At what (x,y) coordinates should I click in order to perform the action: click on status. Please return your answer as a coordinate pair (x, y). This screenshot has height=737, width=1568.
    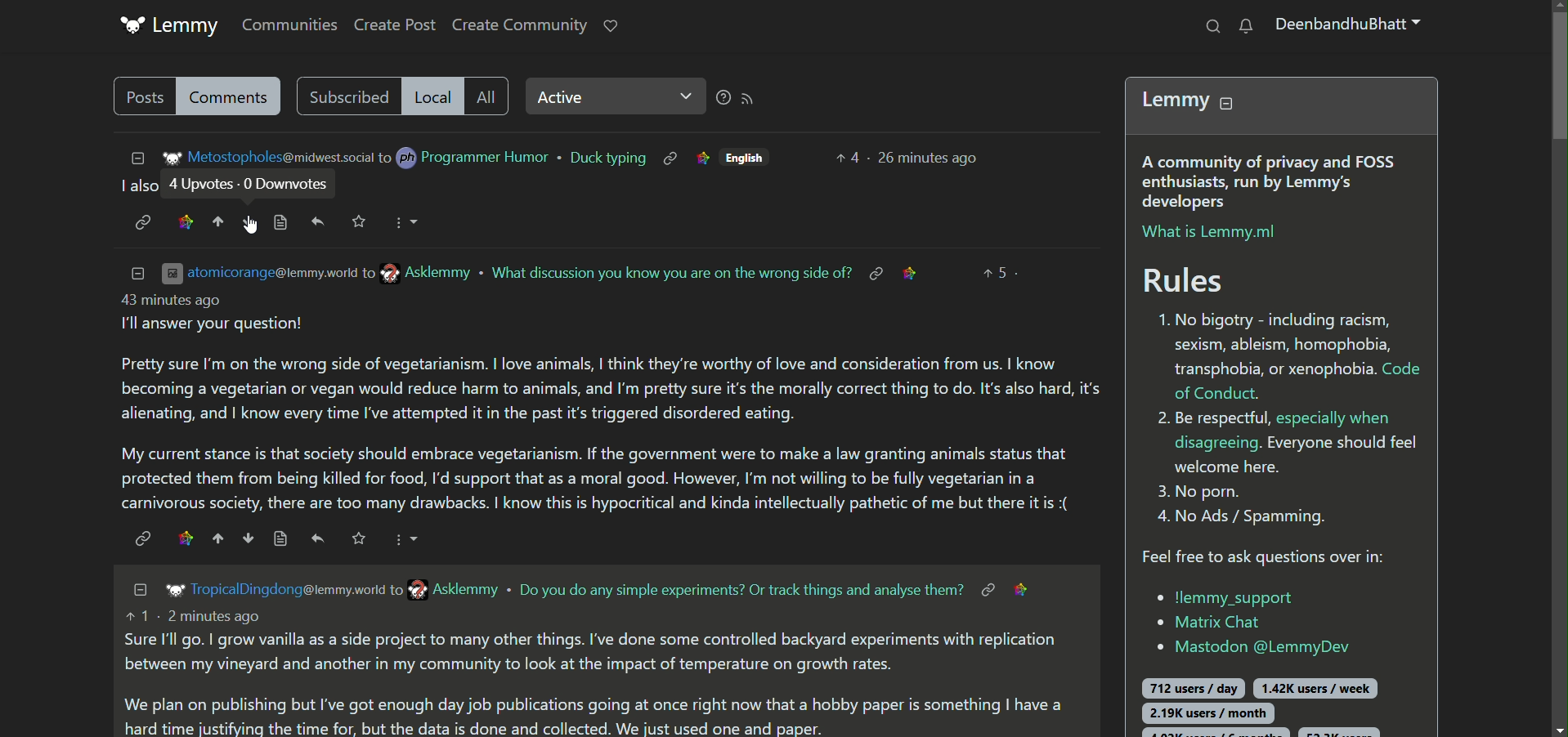
    Looking at the image, I should click on (610, 99).